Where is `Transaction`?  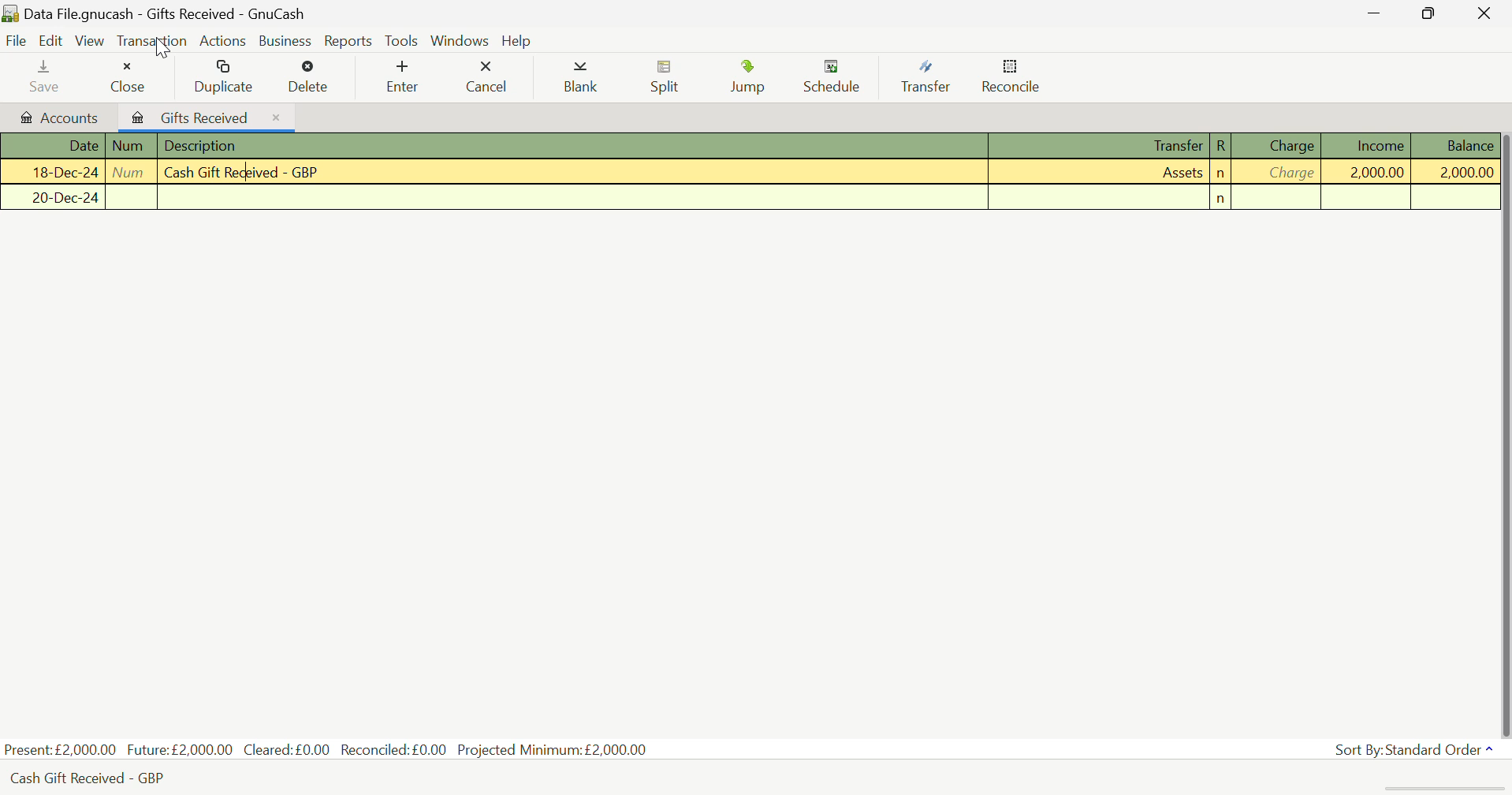 Transaction is located at coordinates (151, 39).